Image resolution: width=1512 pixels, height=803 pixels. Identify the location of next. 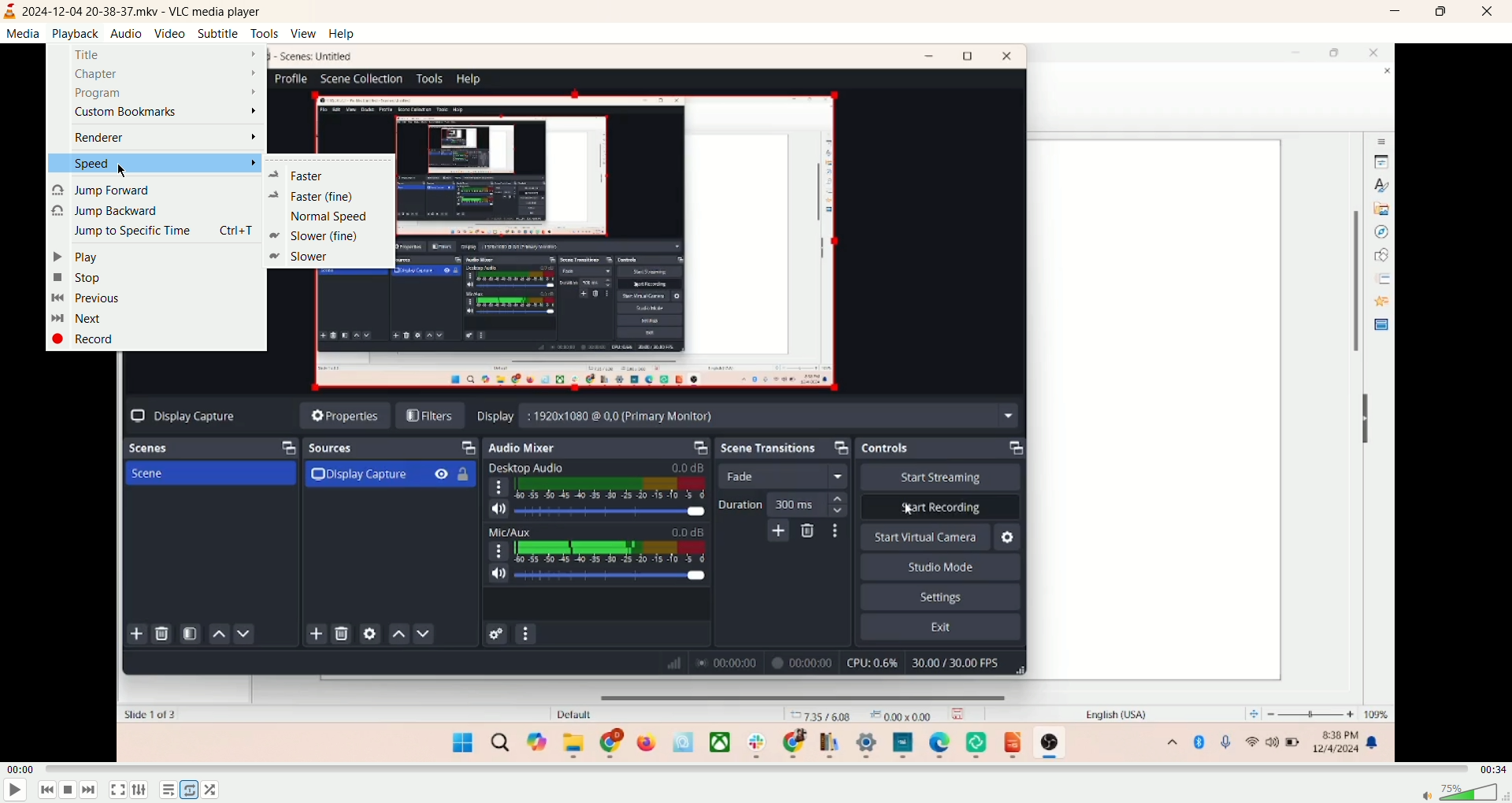
(96, 791).